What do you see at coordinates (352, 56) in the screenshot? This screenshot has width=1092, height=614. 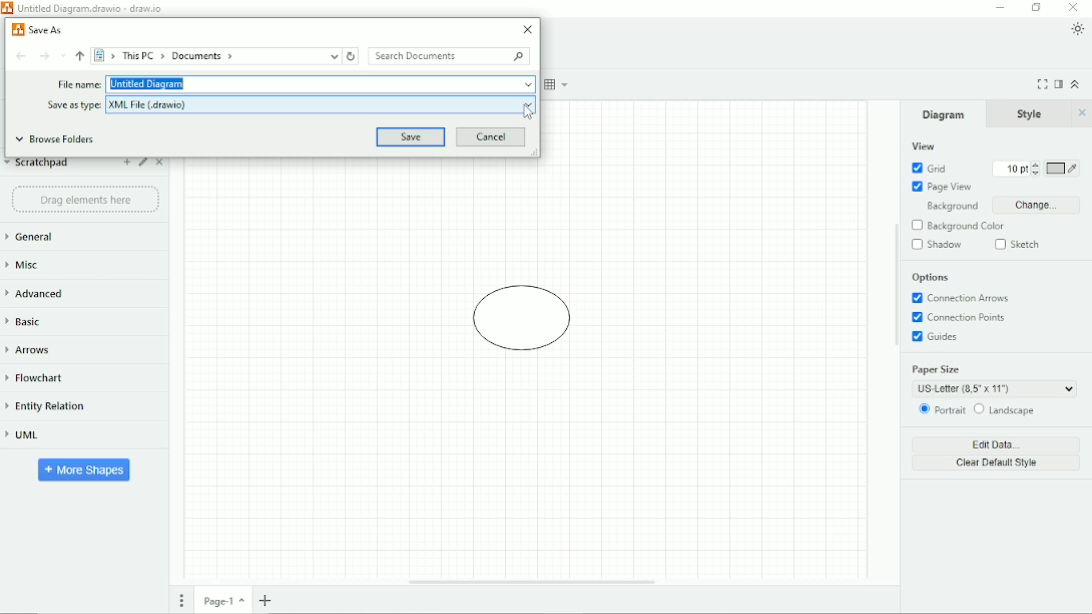 I see `Refresh "Documents"` at bounding box center [352, 56].